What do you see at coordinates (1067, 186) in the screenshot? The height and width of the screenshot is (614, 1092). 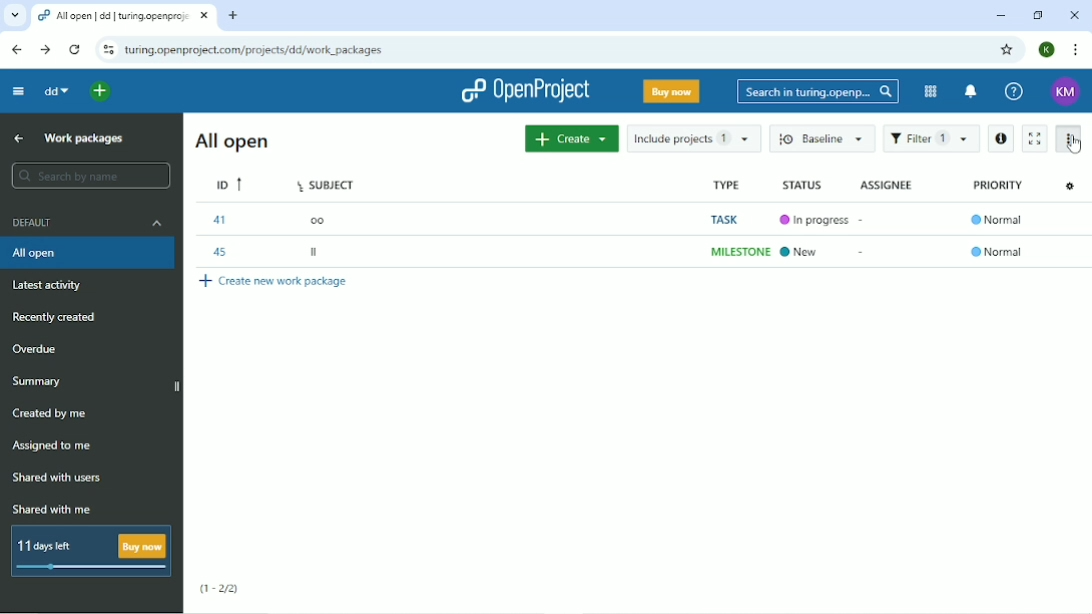 I see `Configure view` at bounding box center [1067, 186].